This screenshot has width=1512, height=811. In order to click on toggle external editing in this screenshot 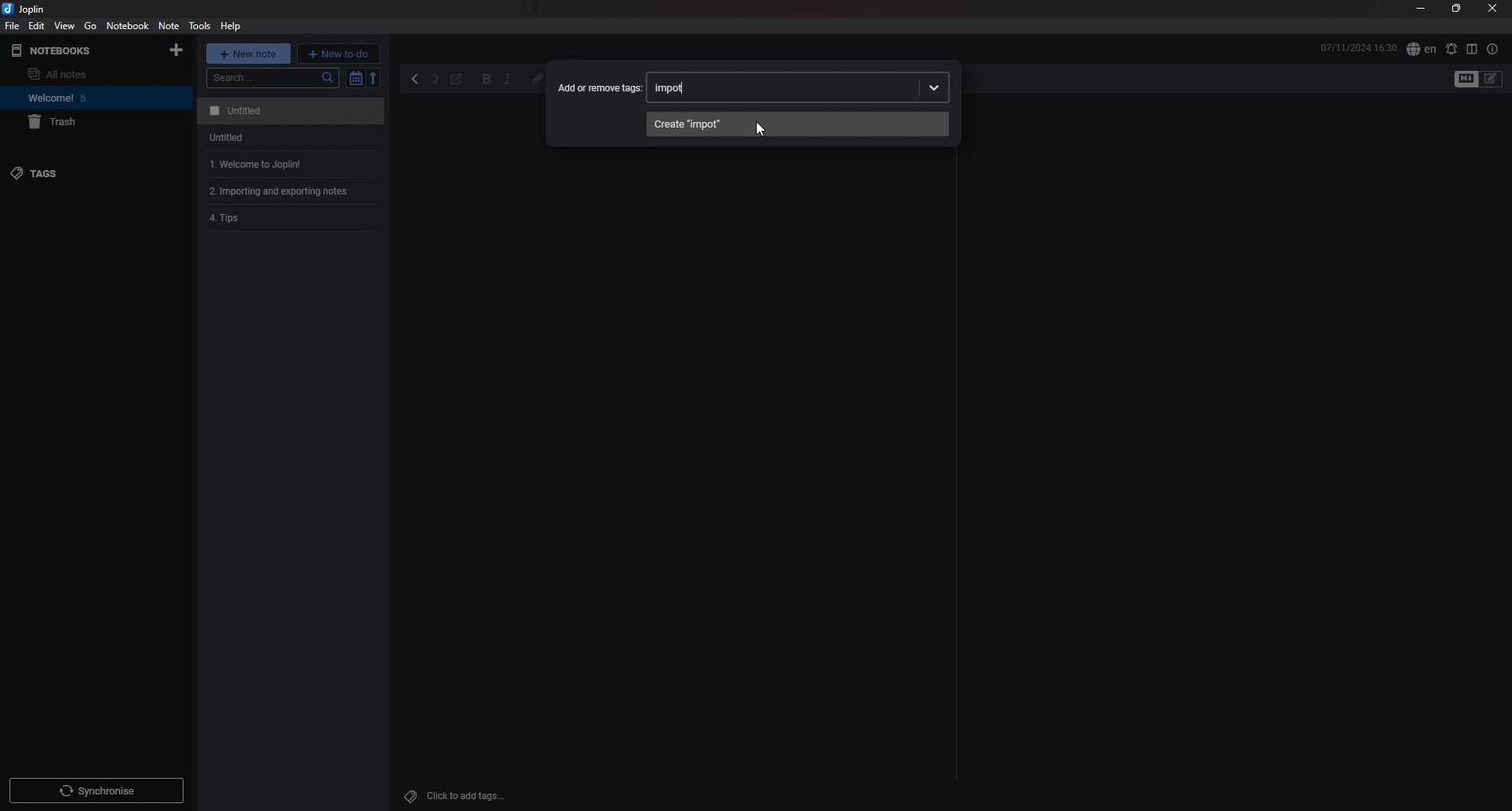, I will do `click(457, 80)`.